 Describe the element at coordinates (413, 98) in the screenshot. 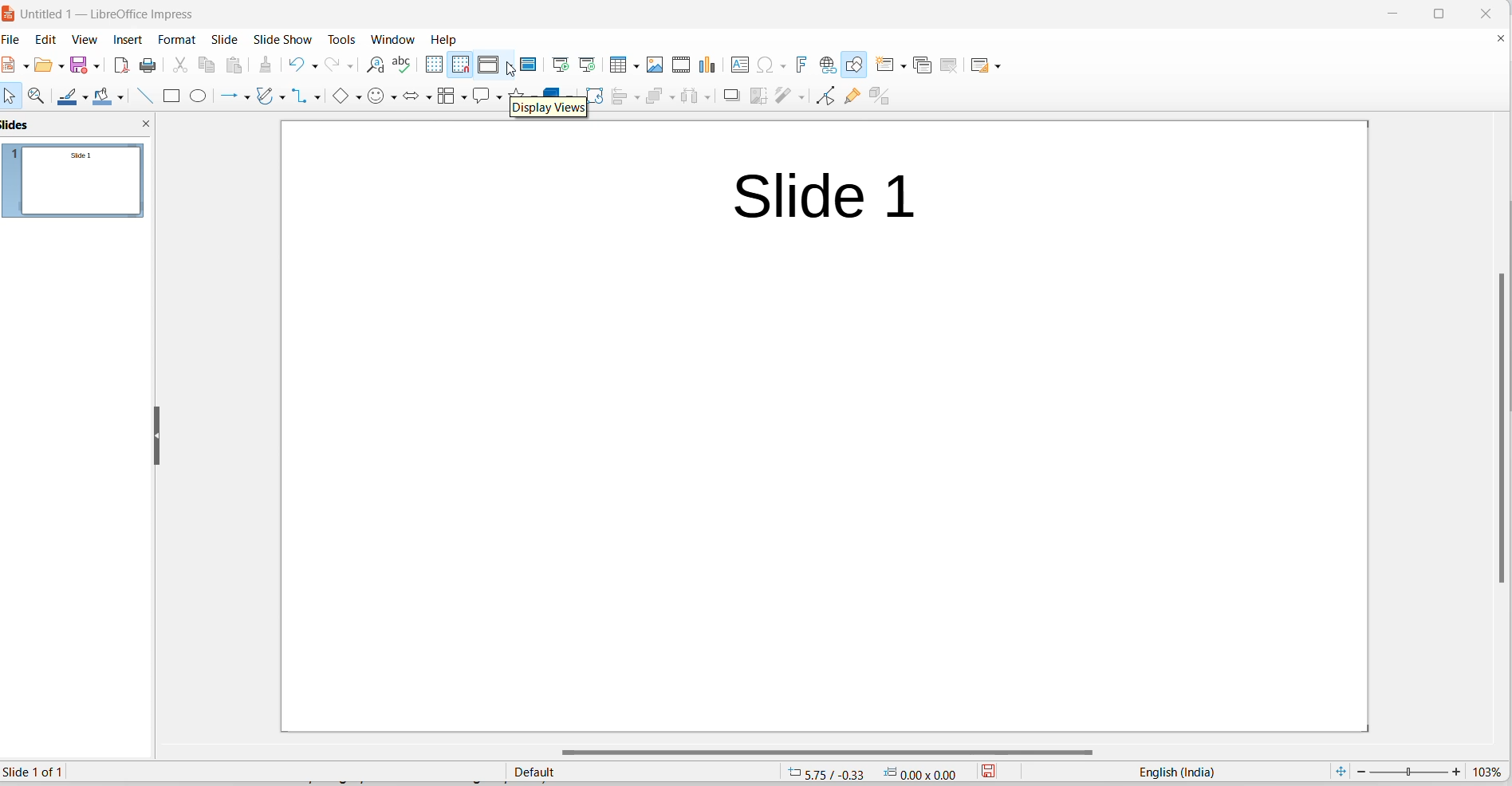

I see `block arrows` at that location.